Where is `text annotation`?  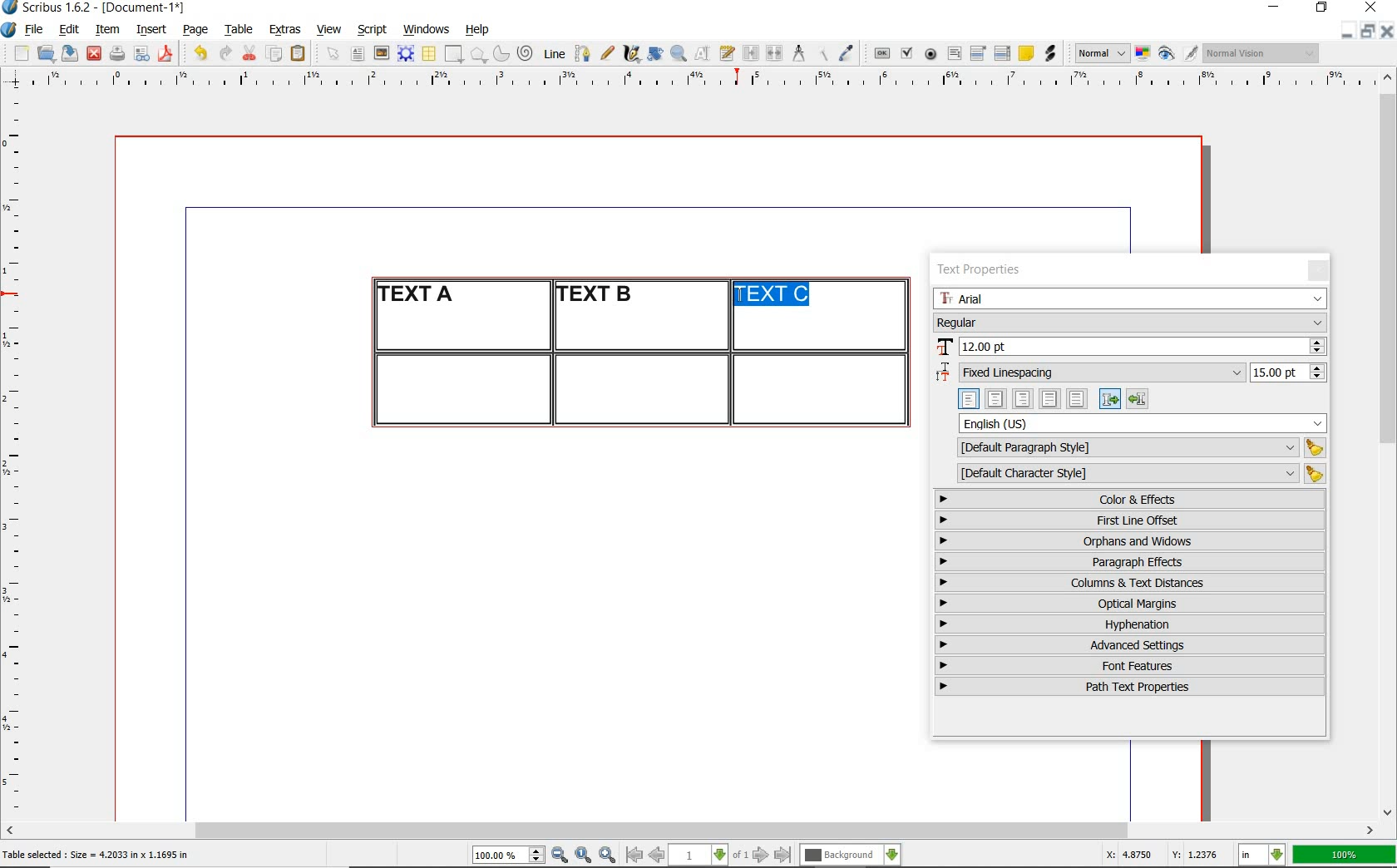
text annotation is located at coordinates (1025, 54).